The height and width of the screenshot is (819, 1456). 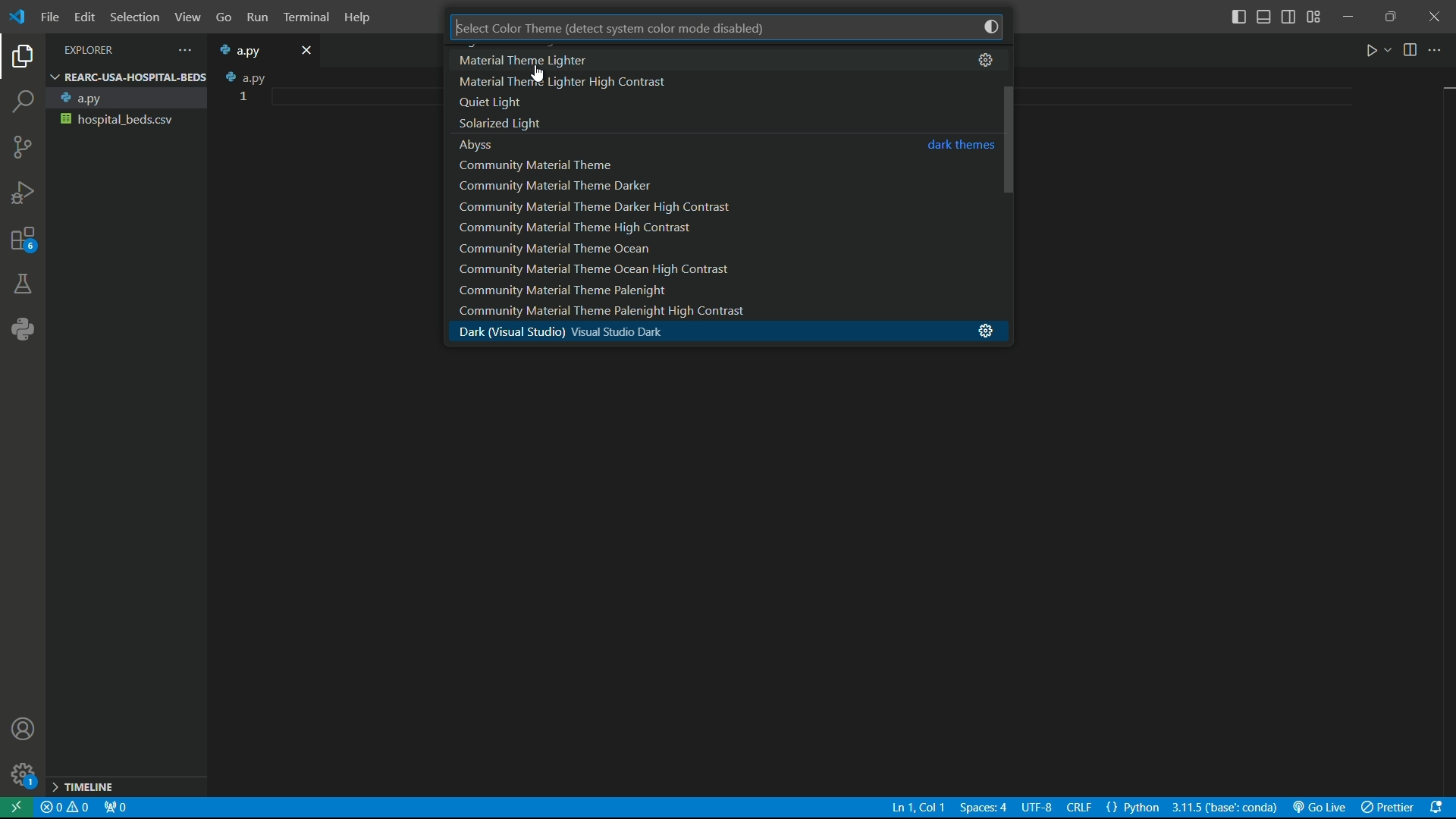 What do you see at coordinates (115, 809) in the screenshot?
I see `no ports forwarded` at bounding box center [115, 809].